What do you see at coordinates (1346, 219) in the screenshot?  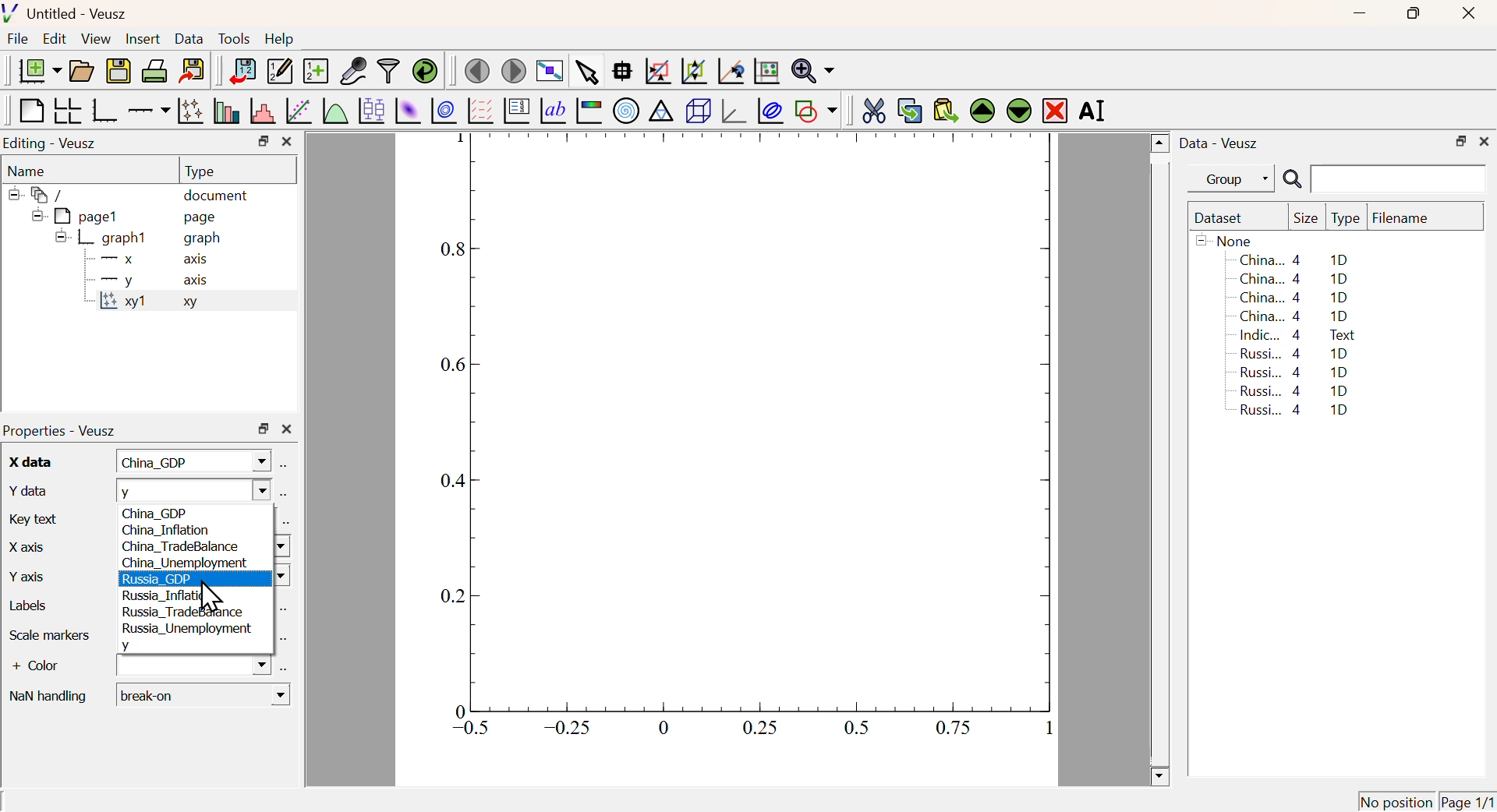 I see `Type` at bounding box center [1346, 219].